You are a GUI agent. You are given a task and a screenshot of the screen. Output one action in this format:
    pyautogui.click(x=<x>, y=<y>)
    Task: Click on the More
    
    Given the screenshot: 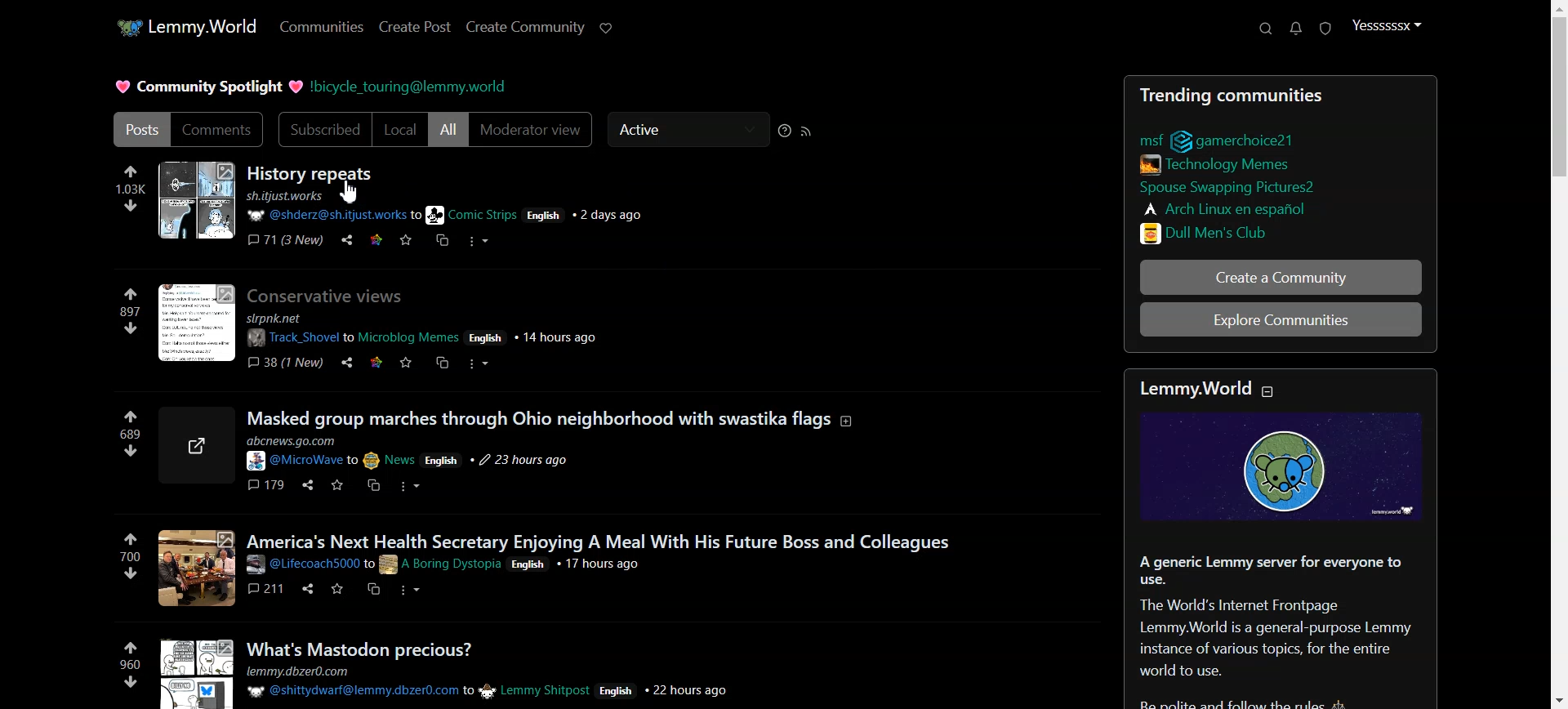 What is the action you would take?
    pyautogui.click(x=478, y=240)
    